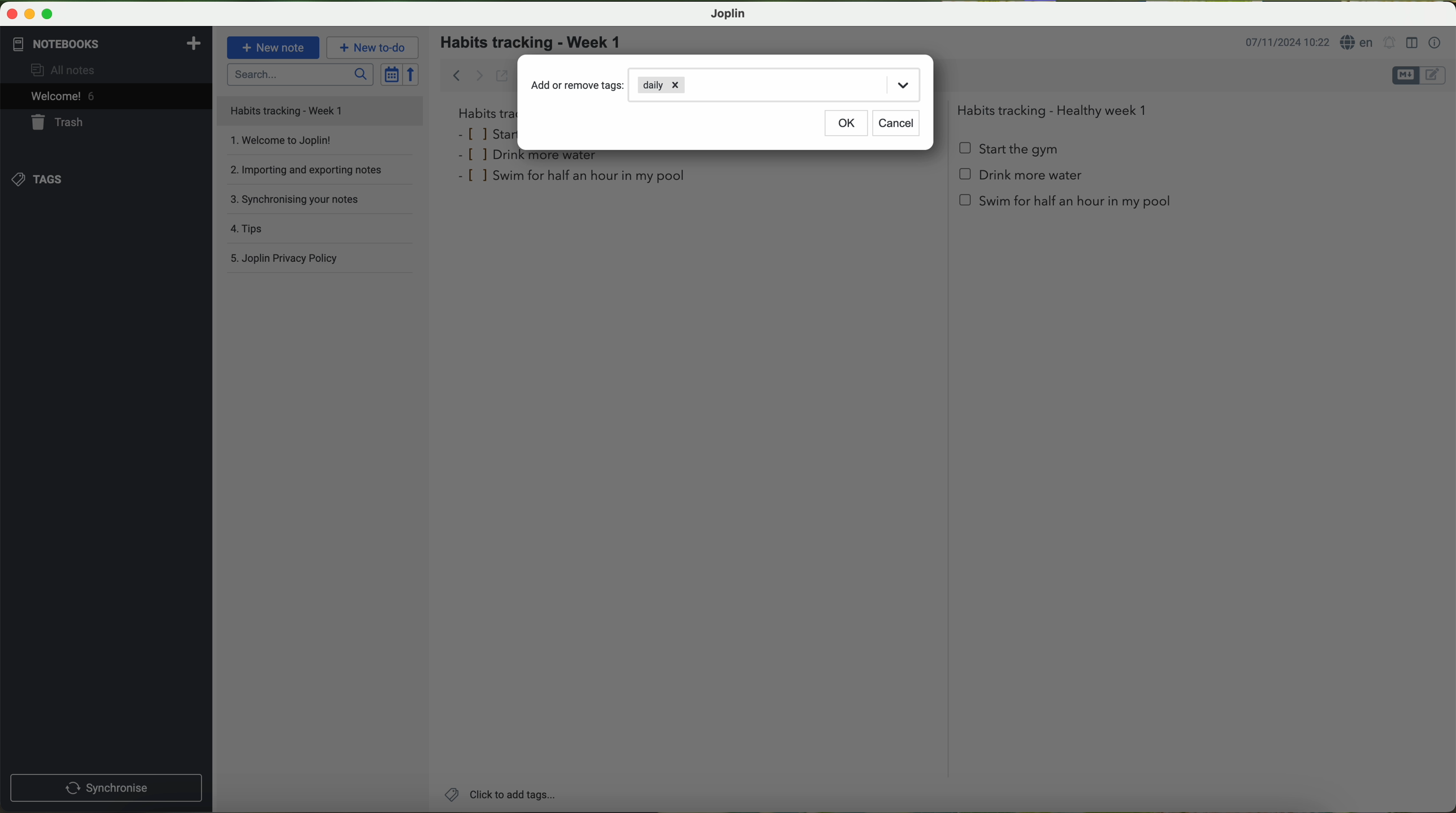 The width and height of the screenshot is (1456, 813). I want to click on star, so click(487, 133).